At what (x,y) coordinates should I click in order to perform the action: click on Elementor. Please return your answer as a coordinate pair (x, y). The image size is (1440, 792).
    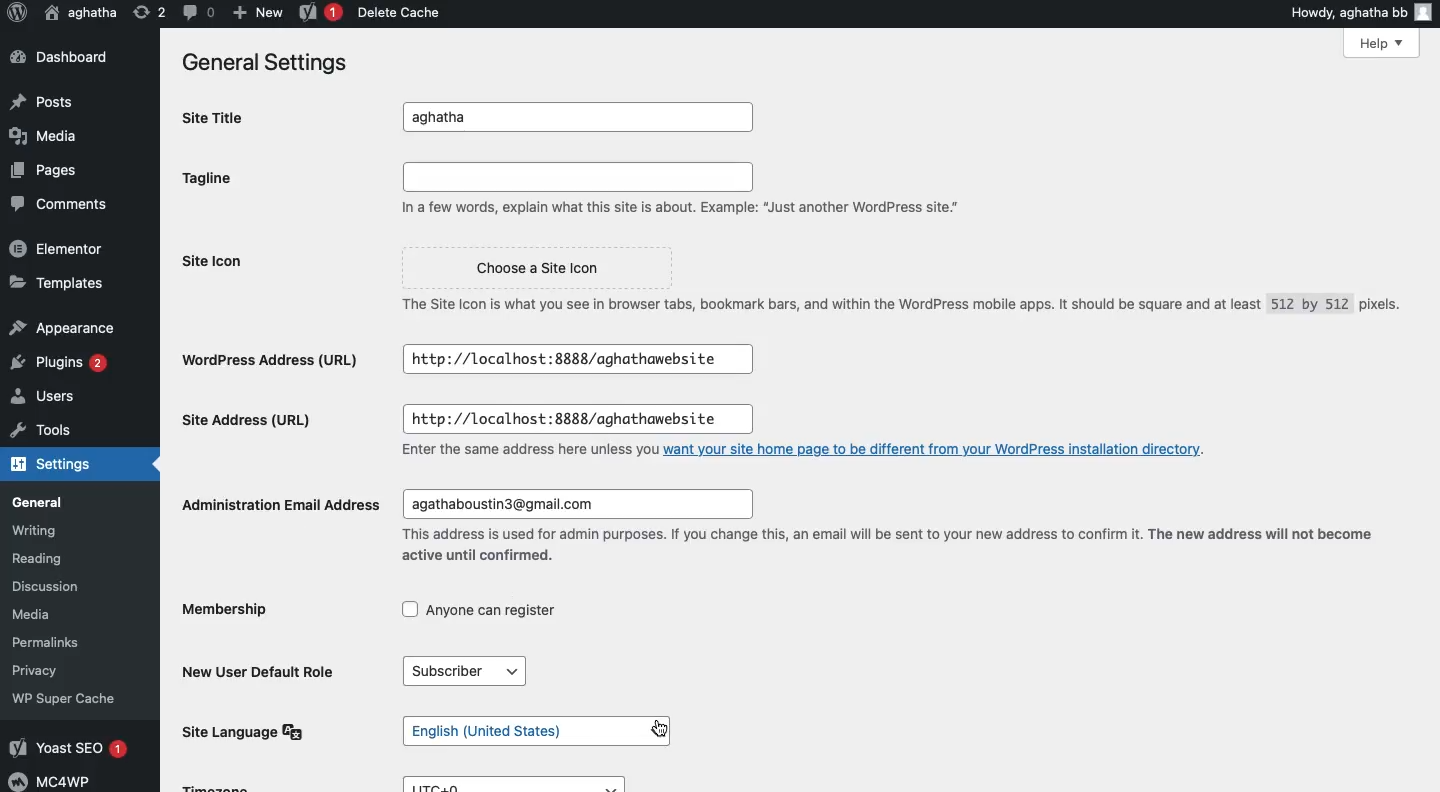
    Looking at the image, I should click on (57, 248).